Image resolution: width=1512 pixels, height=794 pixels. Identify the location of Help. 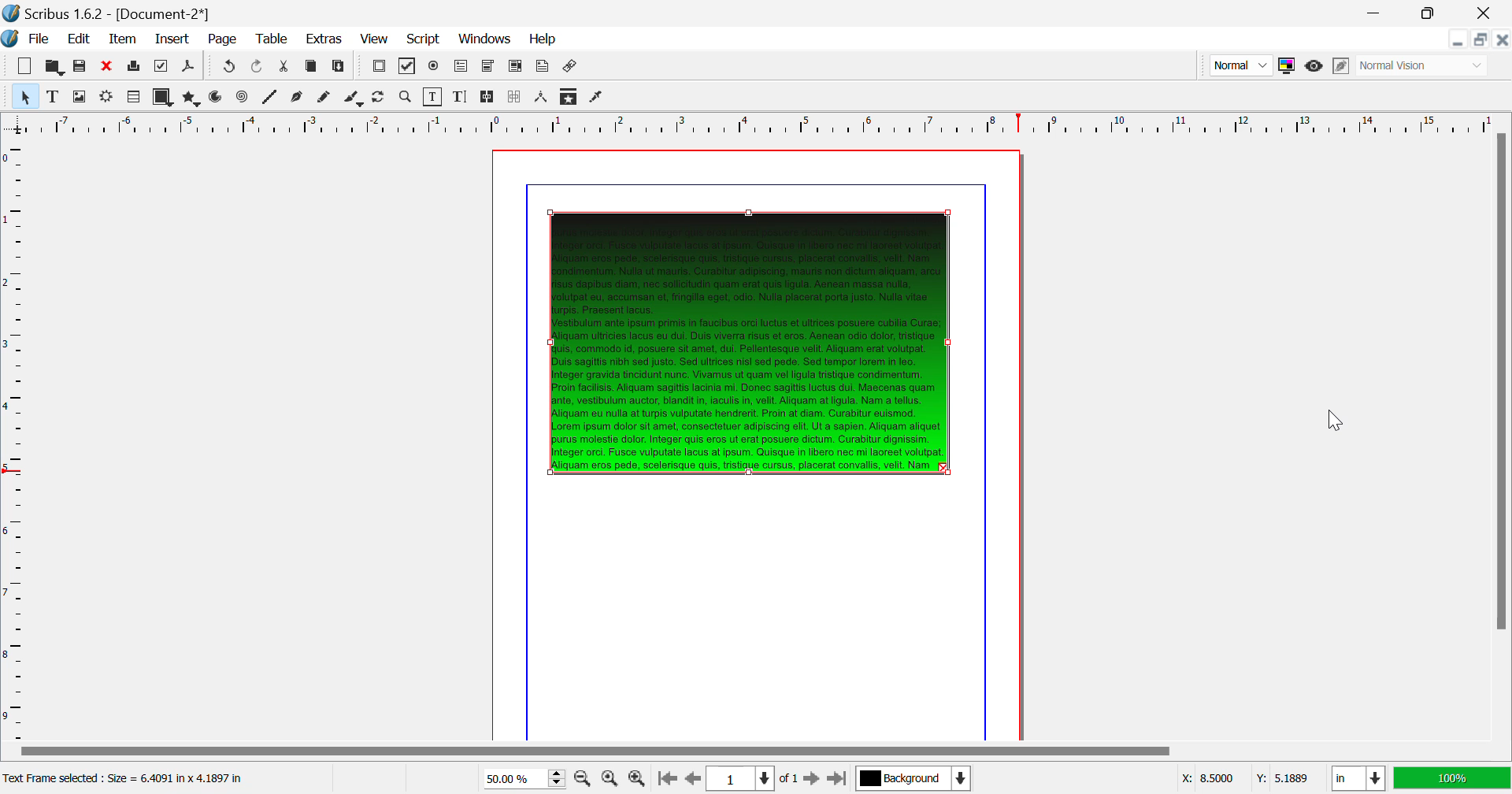
(544, 39).